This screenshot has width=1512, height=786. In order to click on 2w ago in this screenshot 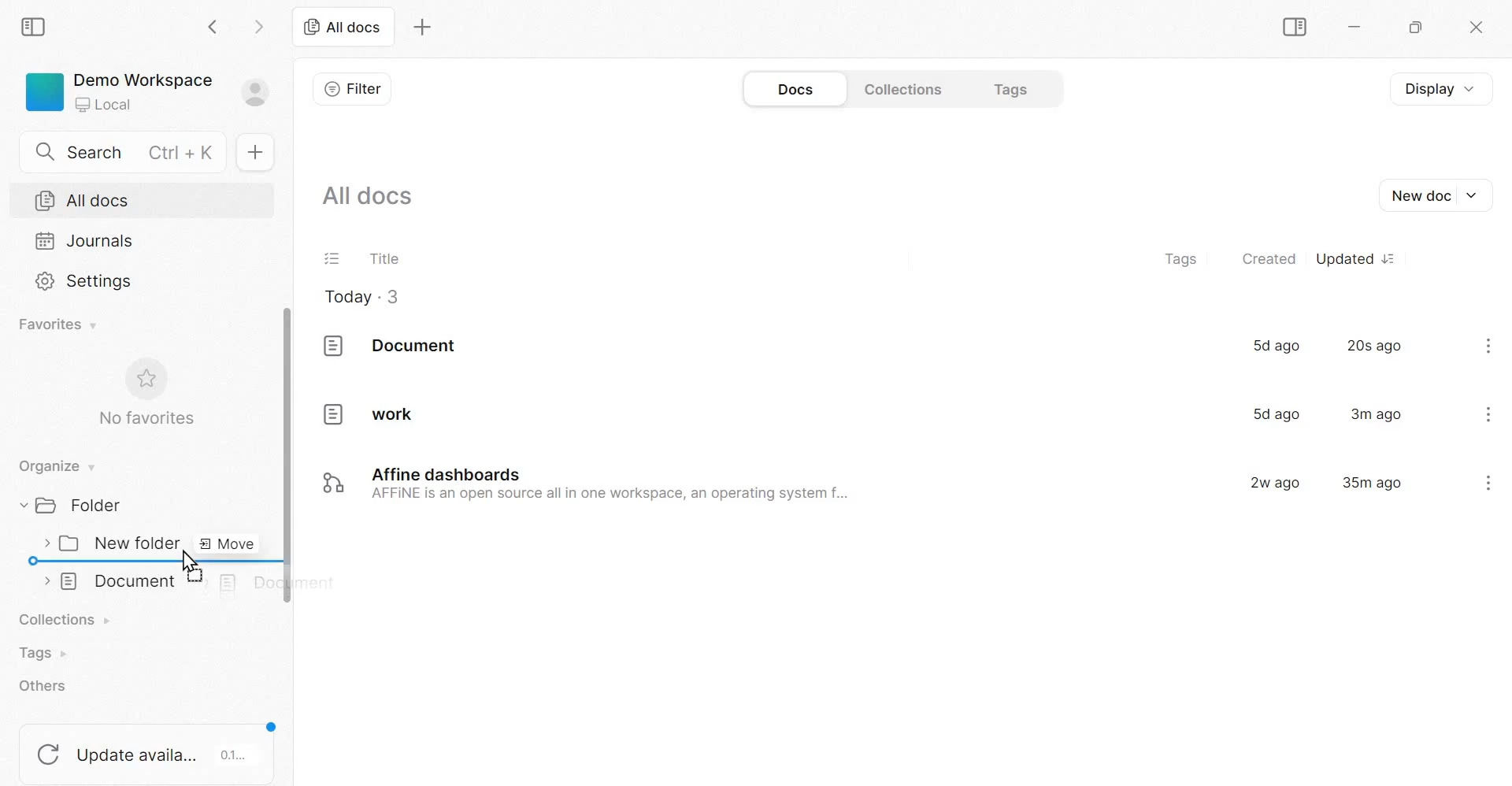, I will do `click(1277, 483)`.